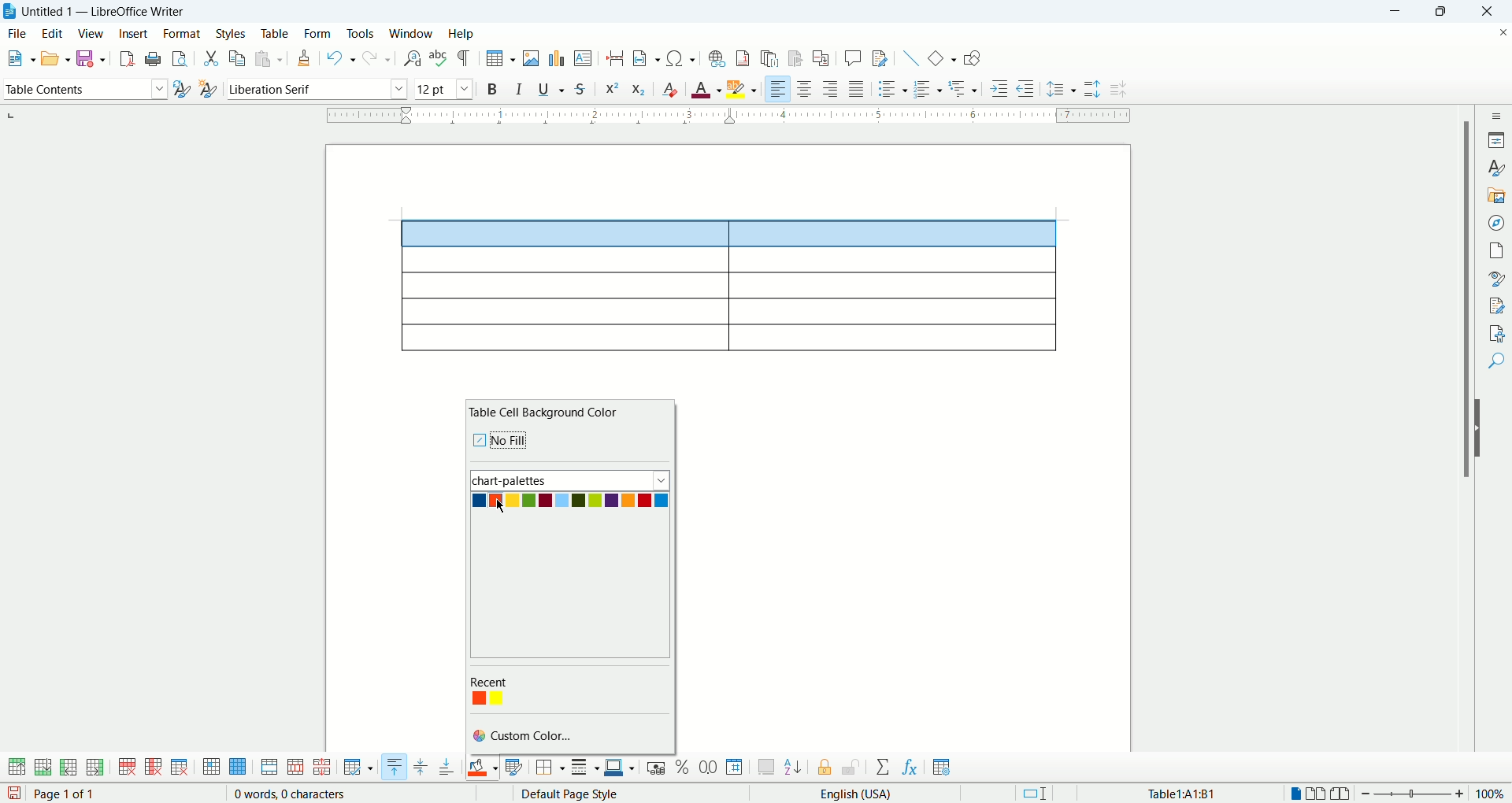  Describe the element at coordinates (1496, 115) in the screenshot. I see `sidebar settings` at that location.